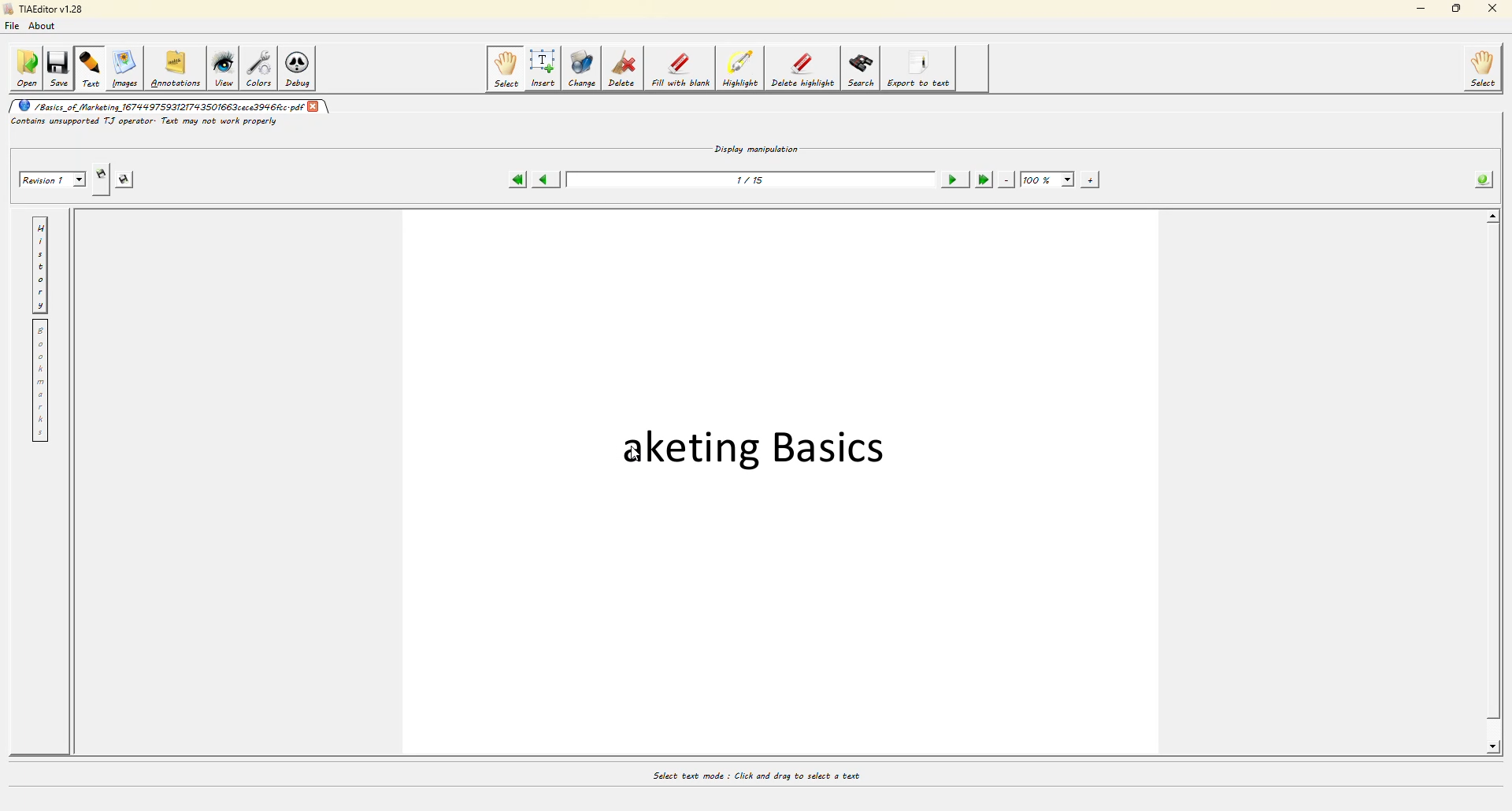  Describe the element at coordinates (862, 70) in the screenshot. I see `search` at that location.